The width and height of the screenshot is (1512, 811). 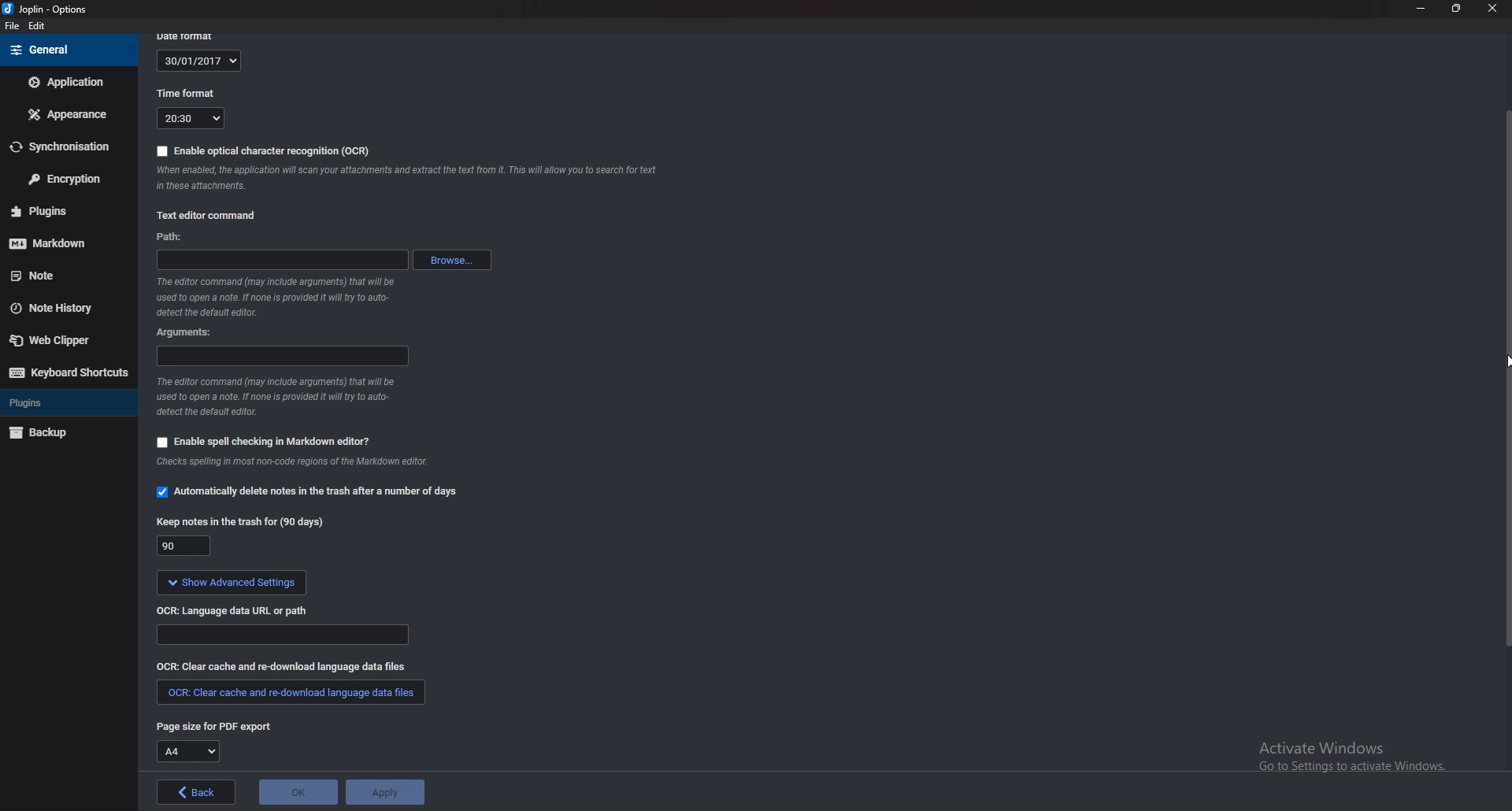 I want to click on close, so click(x=1490, y=8).